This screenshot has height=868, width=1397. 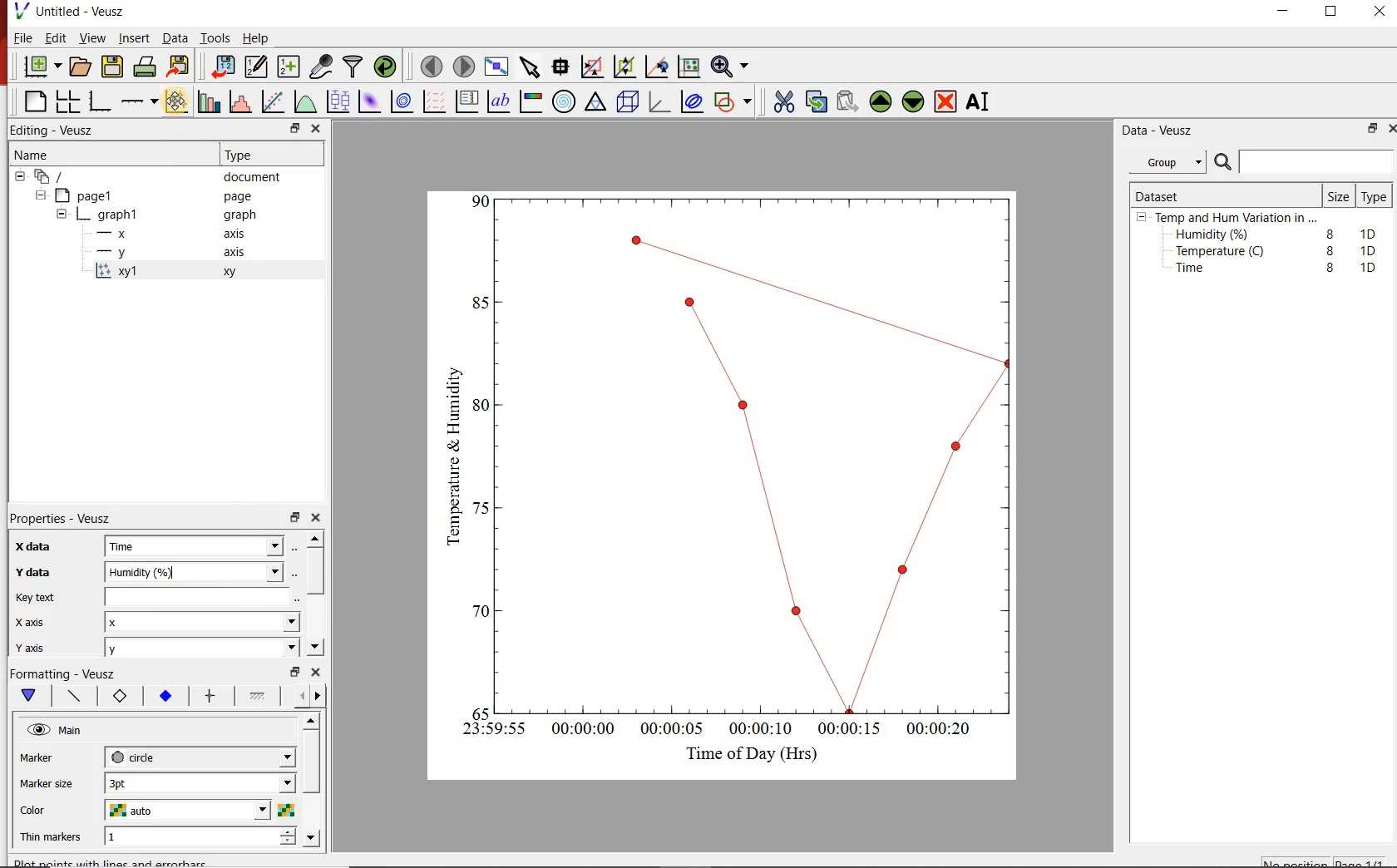 I want to click on 1D, so click(x=1368, y=267).